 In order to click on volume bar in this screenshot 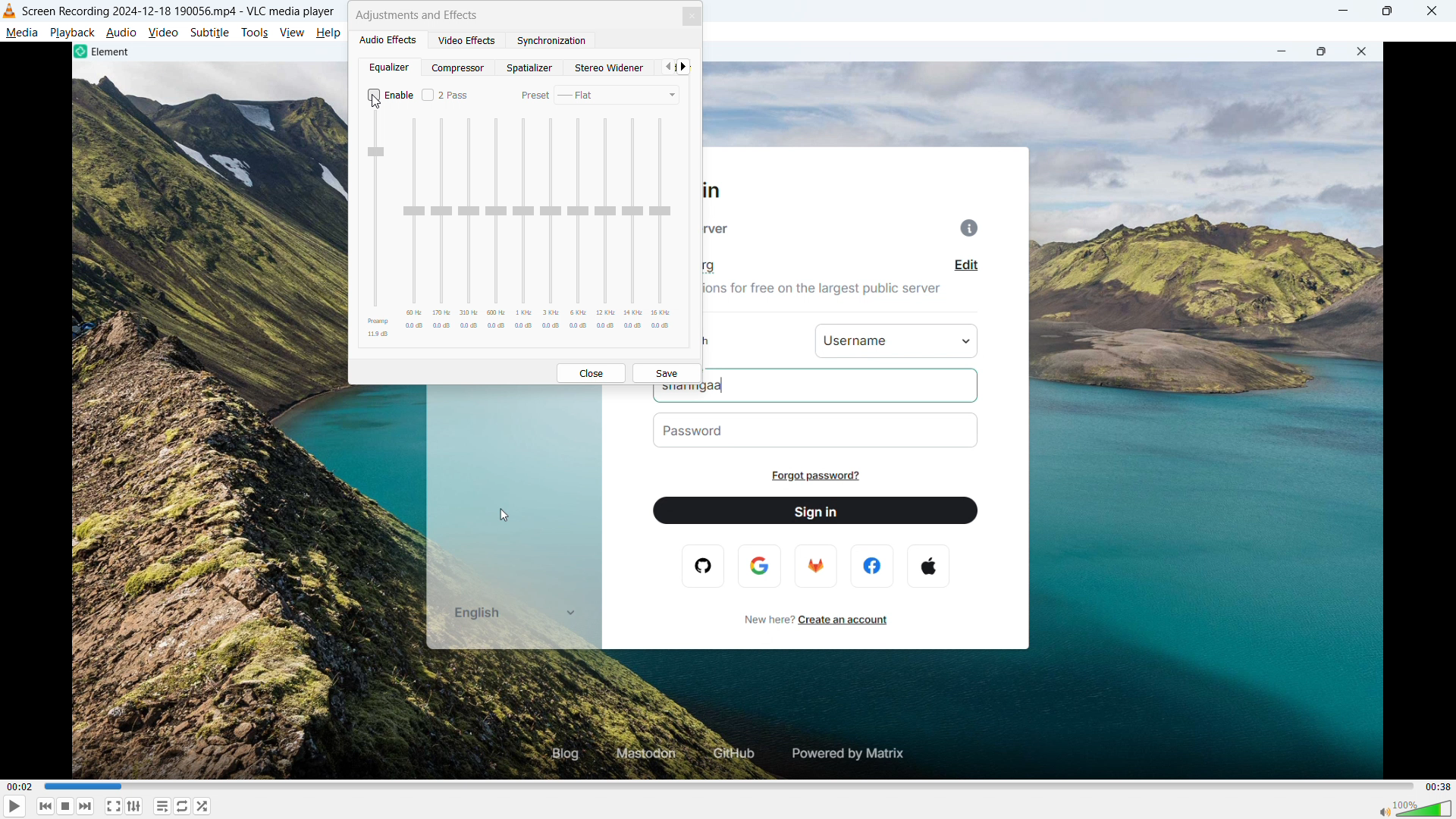, I will do `click(1412, 808)`.